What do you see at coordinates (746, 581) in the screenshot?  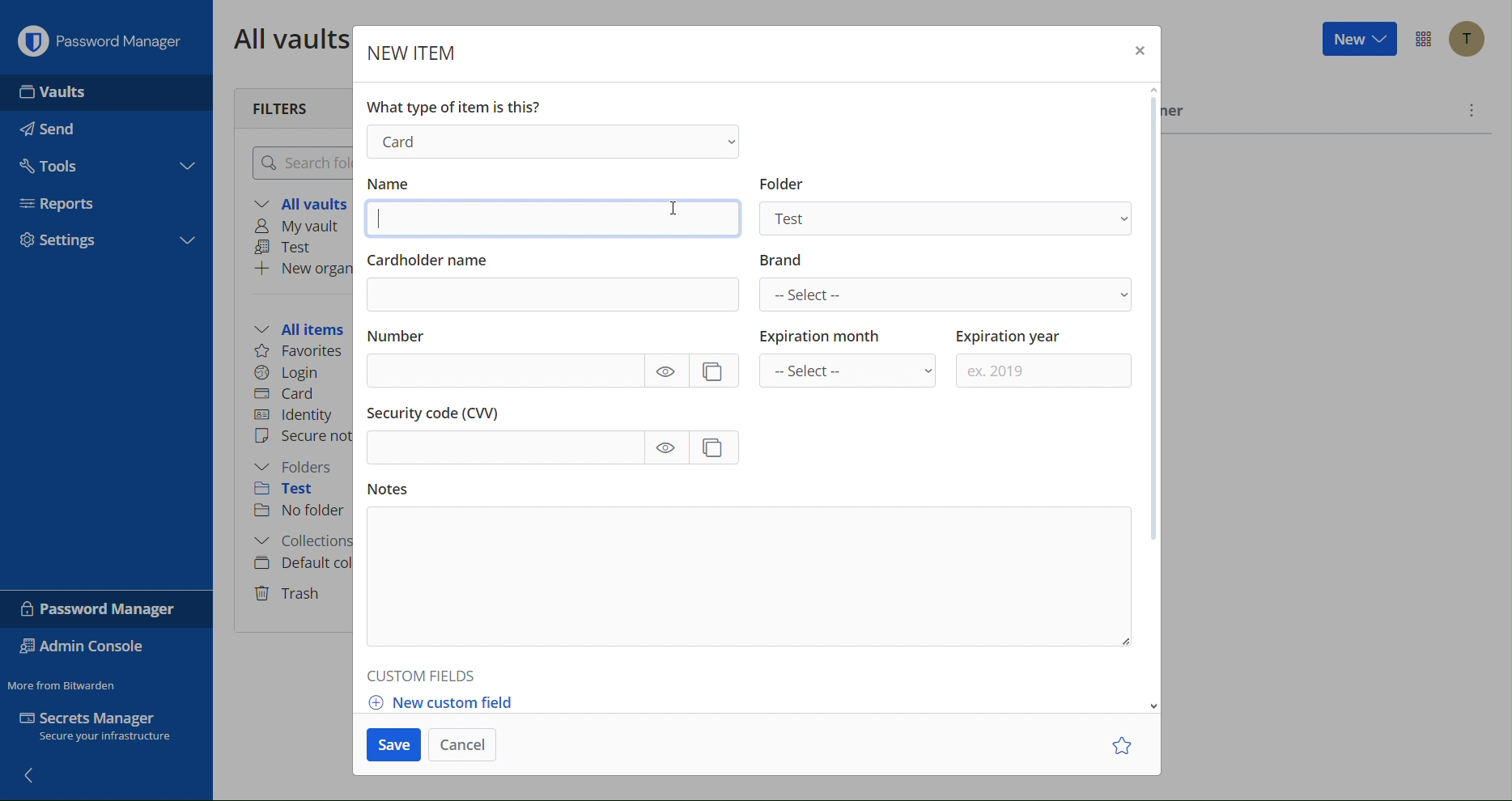 I see `Notes` at bounding box center [746, 581].